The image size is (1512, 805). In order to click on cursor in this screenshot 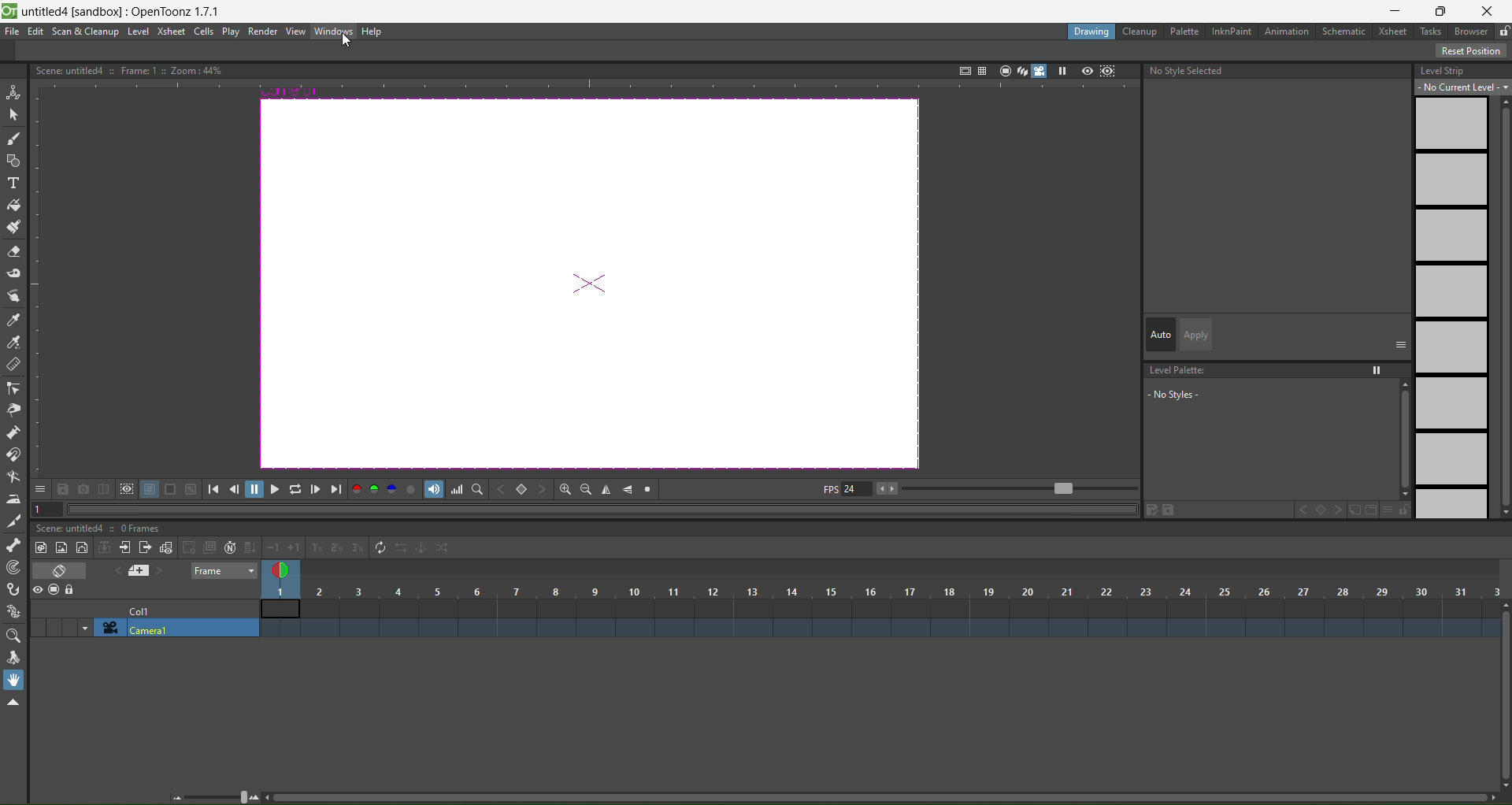, I will do `click(345, 43)`.